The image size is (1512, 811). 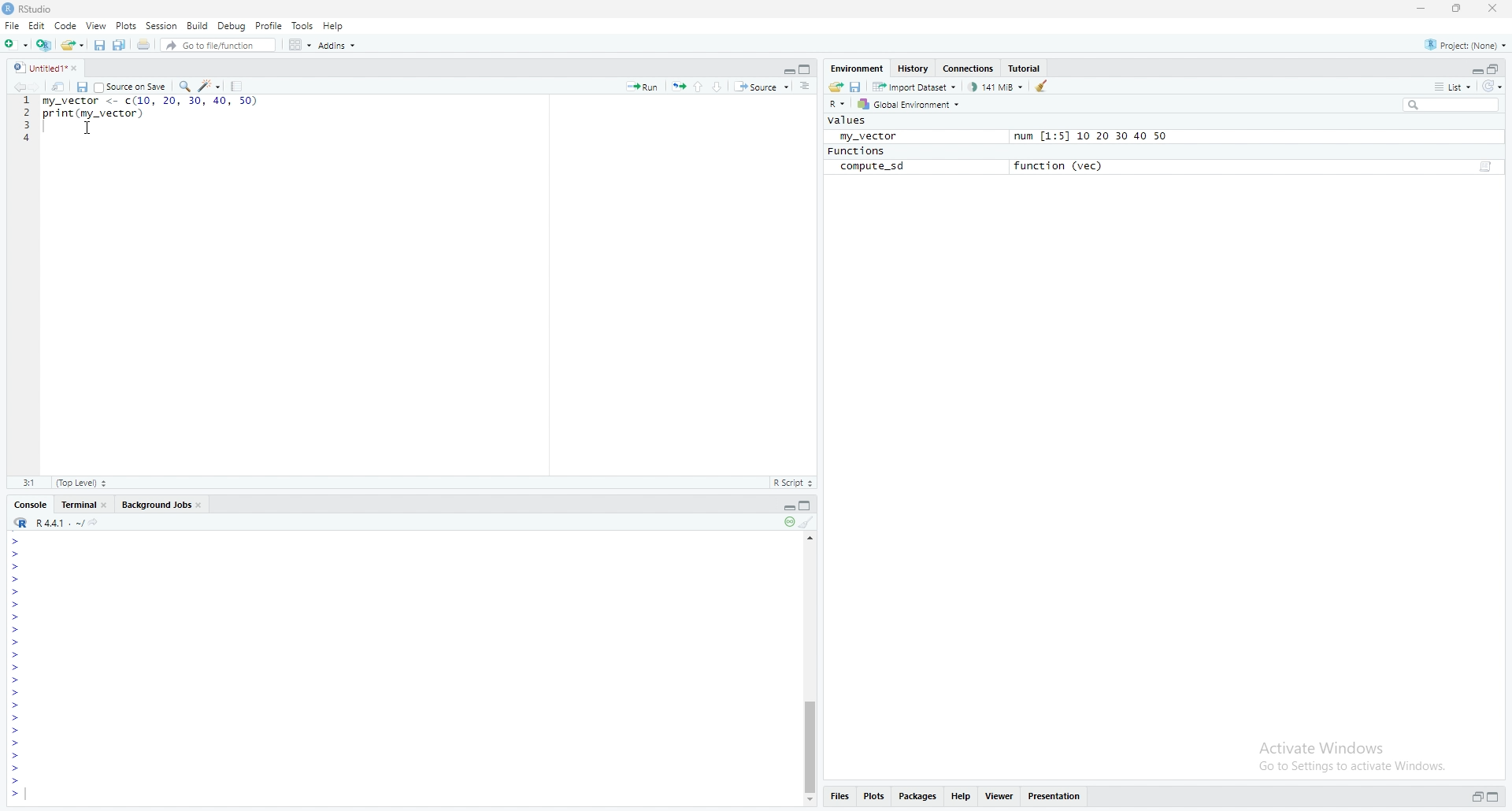 What do you see at coordinates (808, 506) in the screenshot?
I see `Maximize/Restore` at bounding box center [808, 506].